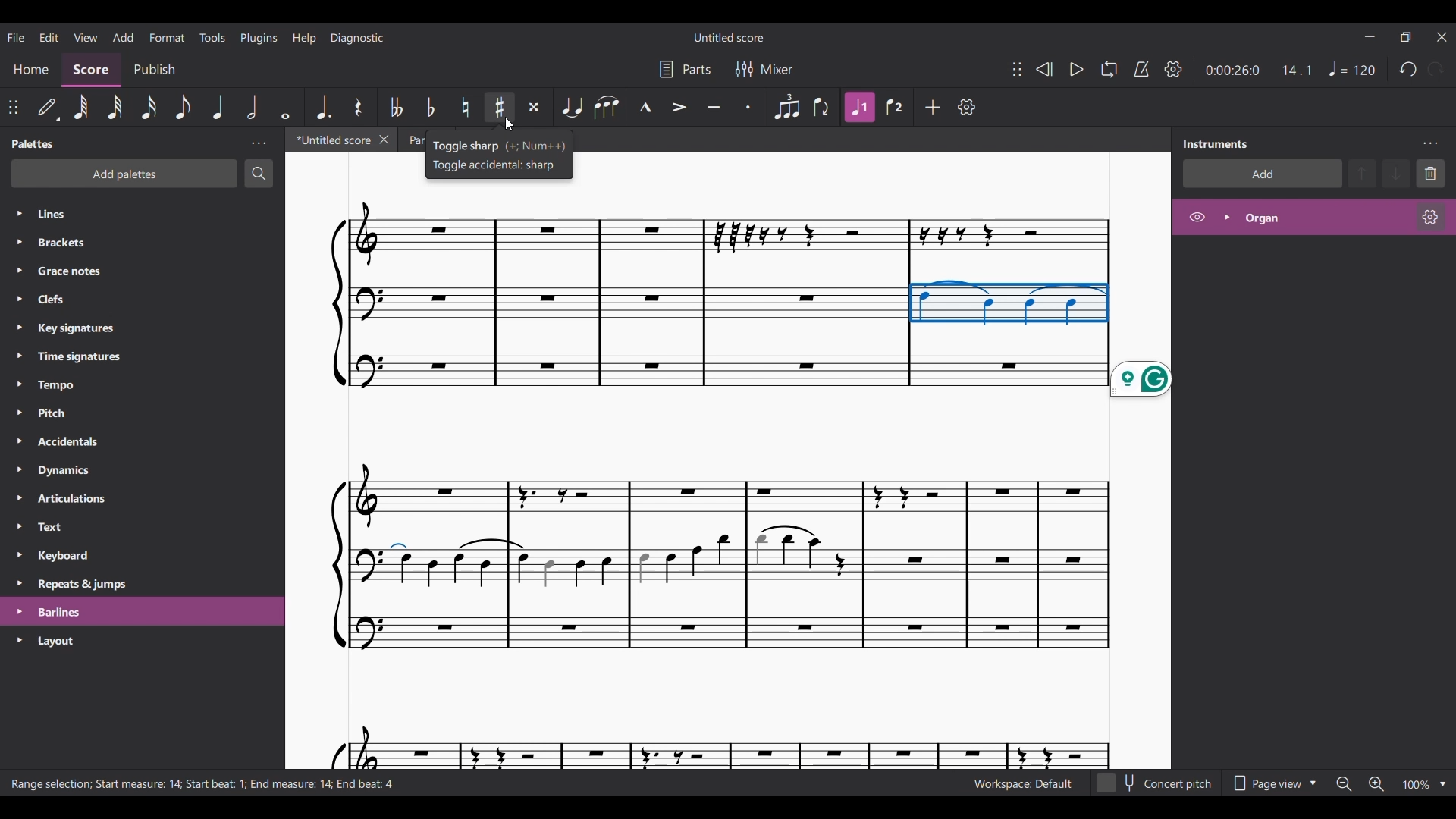 The image size is (1456, 819). What do you see at coordinates (212, 36) in the screenshot?
I see `Tools menu` at bounding box center [212, 36].